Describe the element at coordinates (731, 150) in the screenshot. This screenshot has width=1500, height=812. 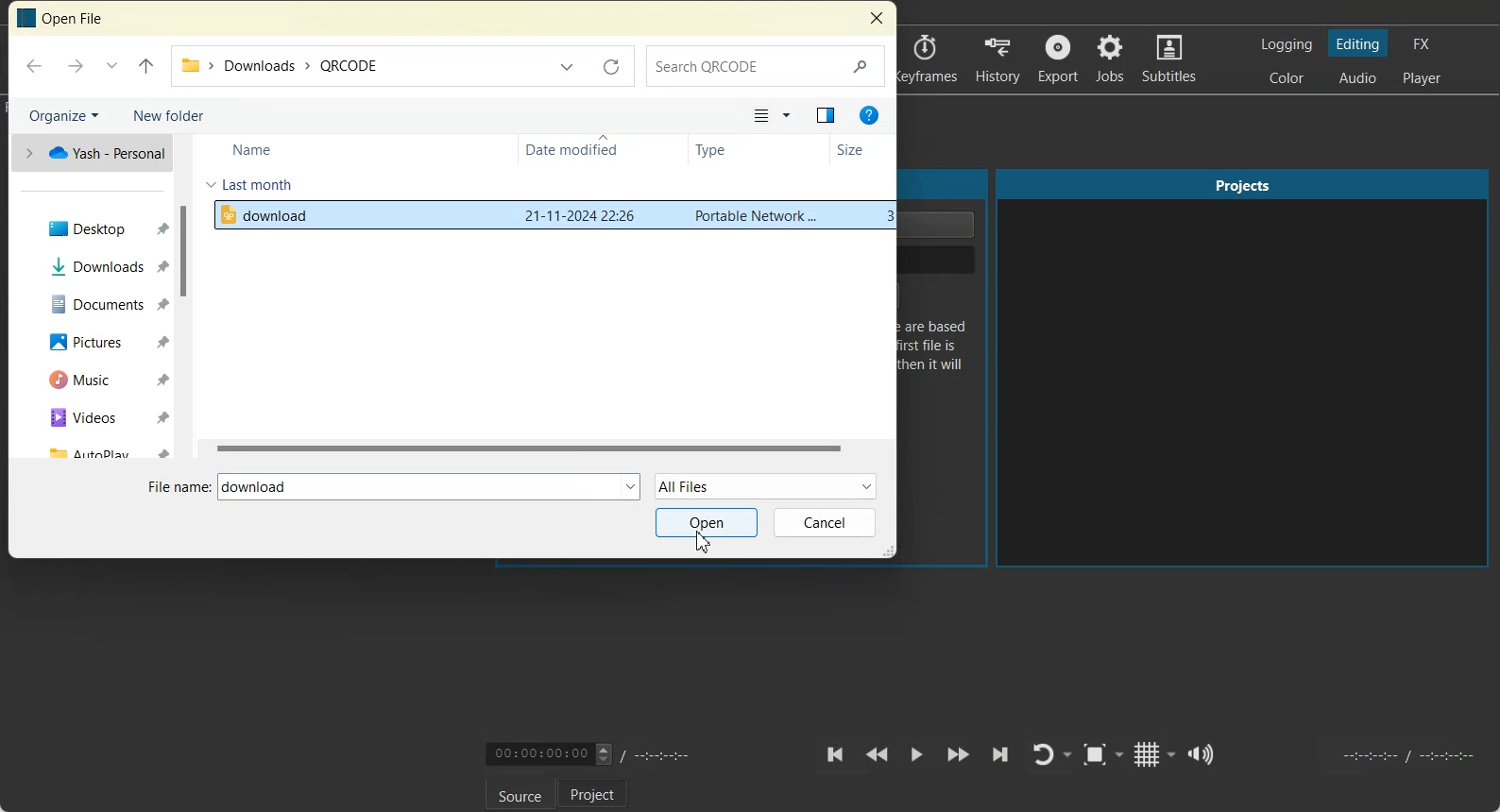
I see `Type` at that location.